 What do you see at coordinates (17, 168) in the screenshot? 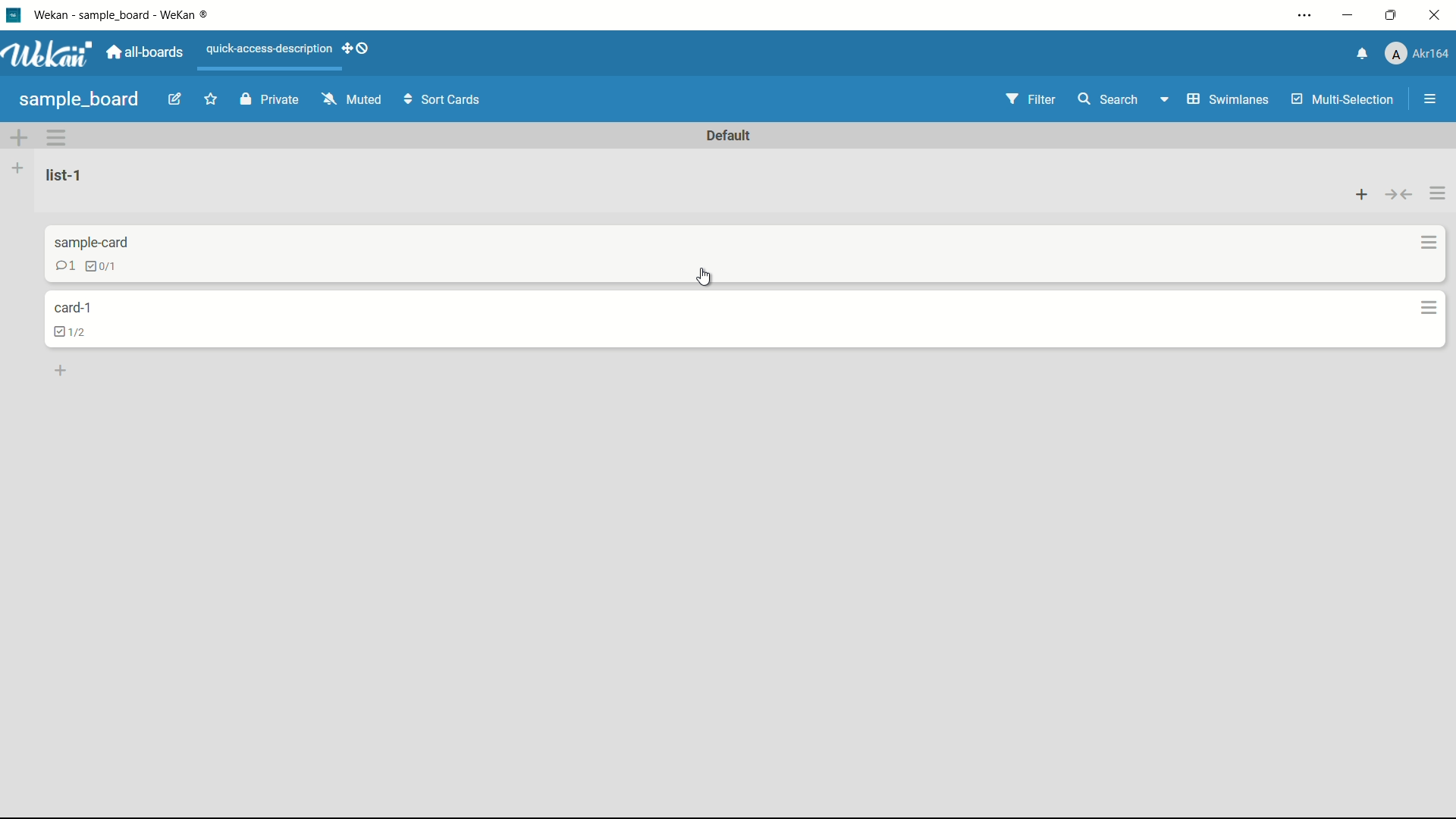
I see `list actions` at bounding box center [17, 168].